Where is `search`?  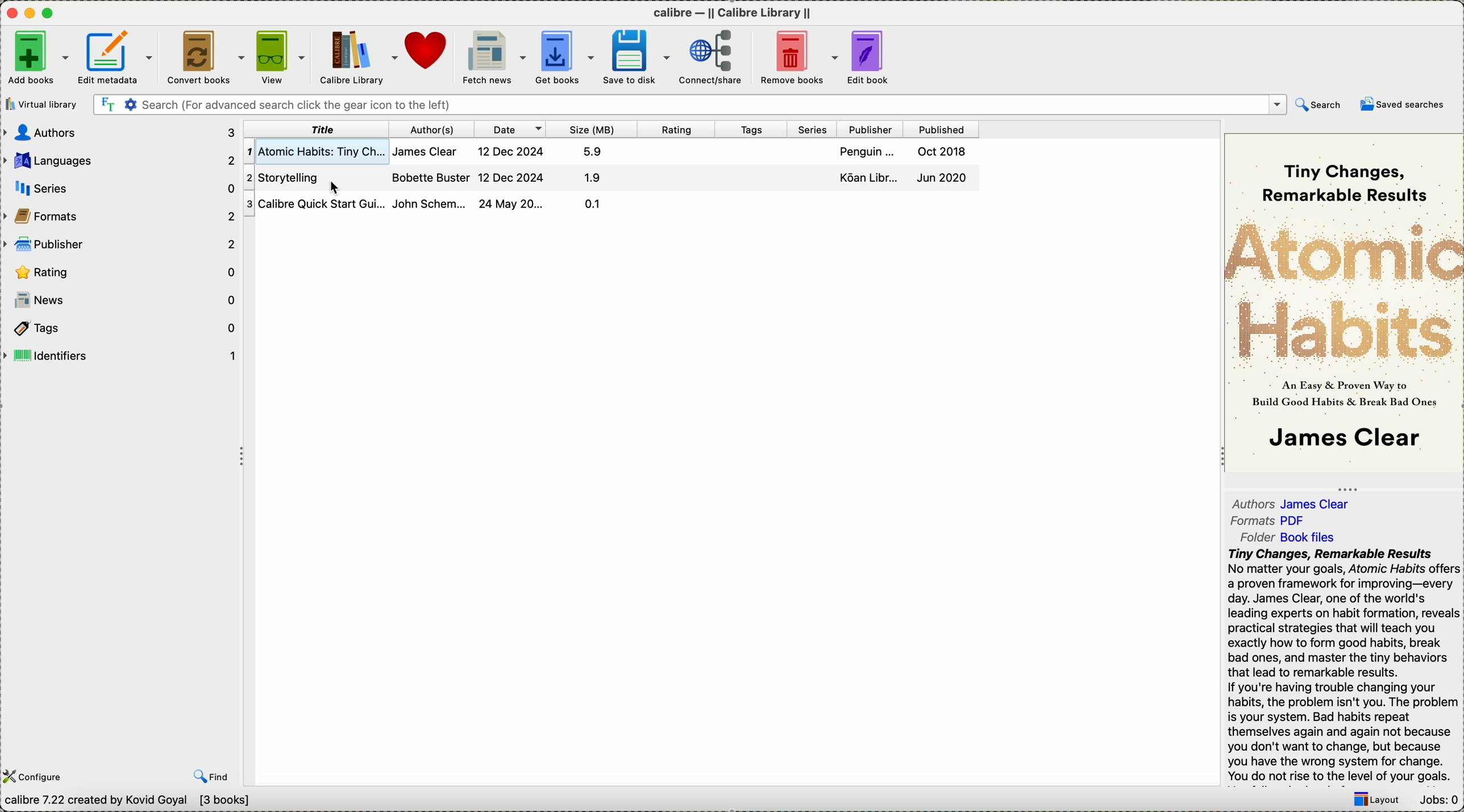 search is located at coordinates (1319, 106).